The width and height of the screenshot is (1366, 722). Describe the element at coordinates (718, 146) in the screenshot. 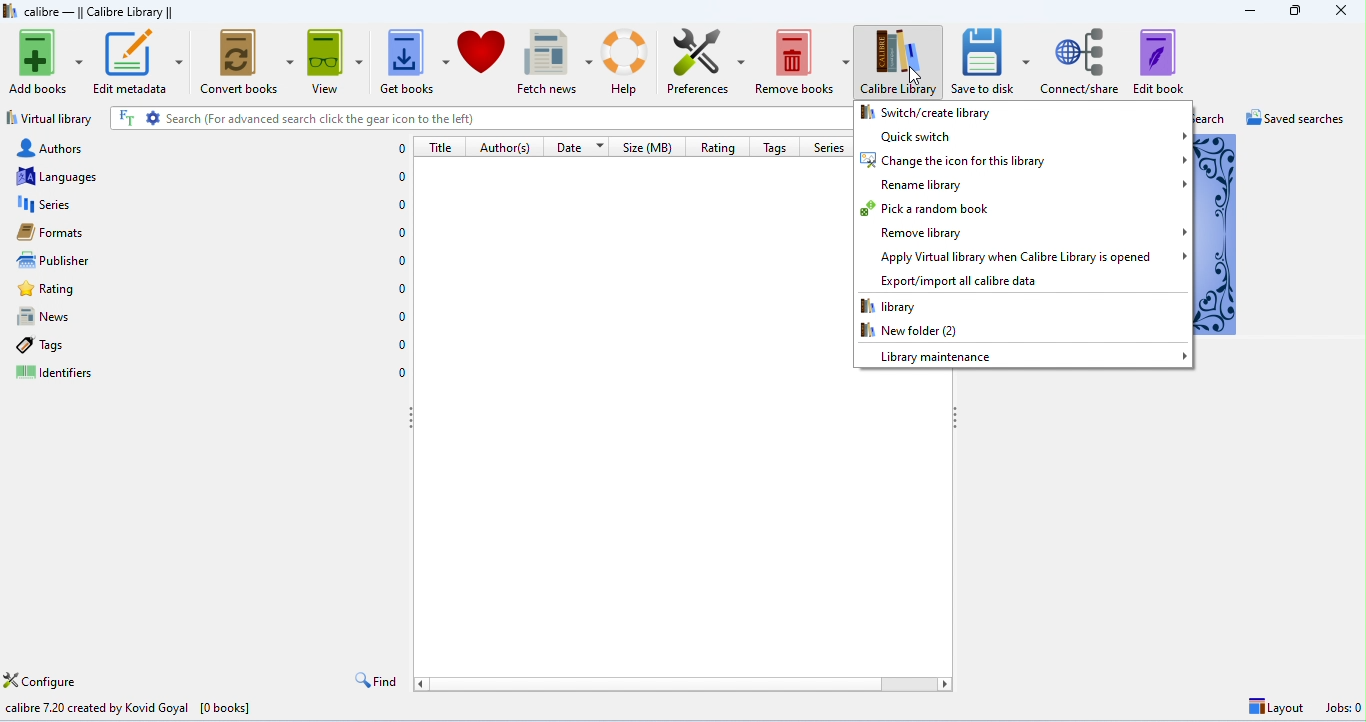

I see `rating` at that location.